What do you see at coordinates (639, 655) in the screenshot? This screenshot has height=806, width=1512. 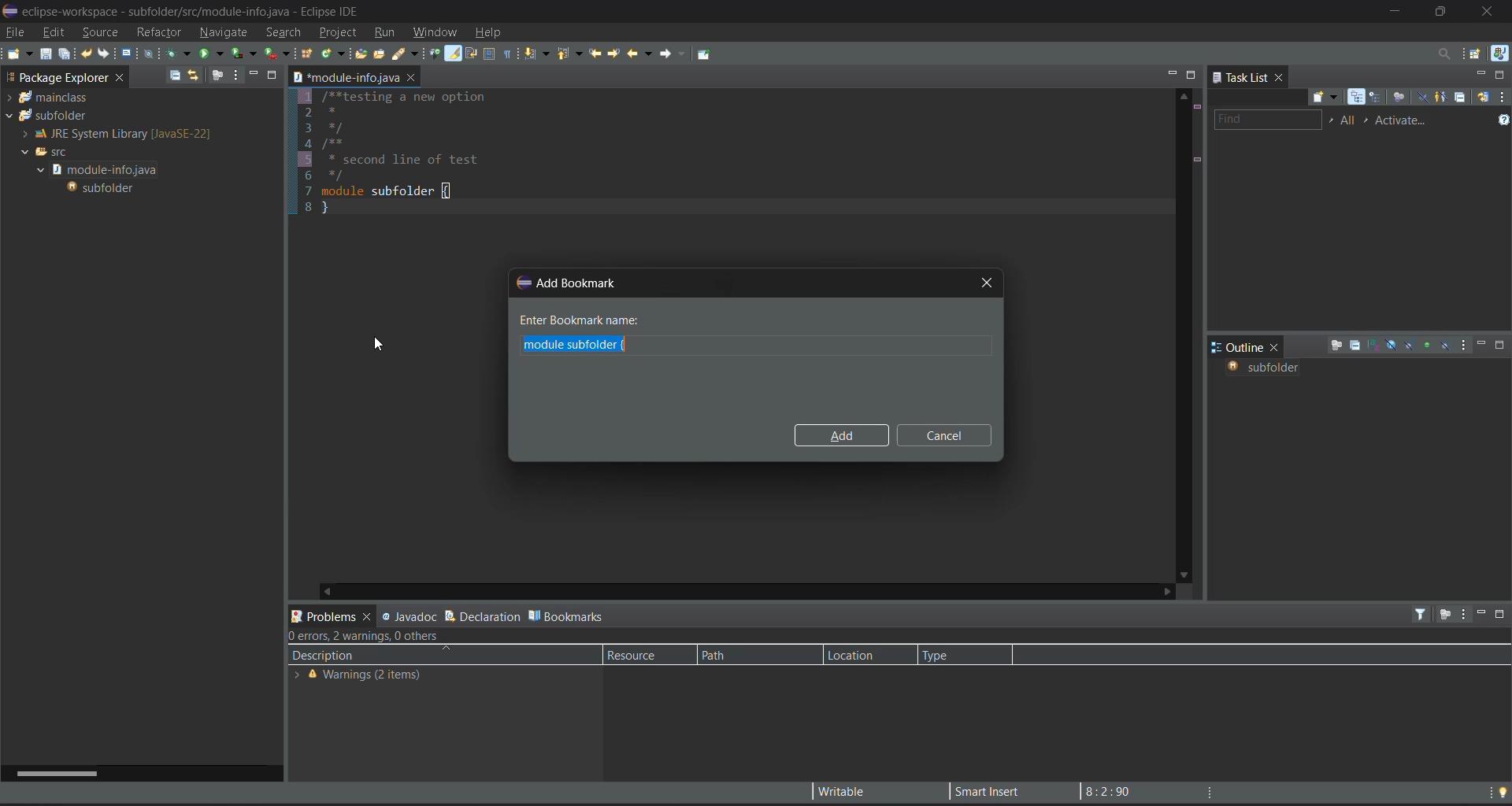 I see `resource` at bounding box center [639, 655].